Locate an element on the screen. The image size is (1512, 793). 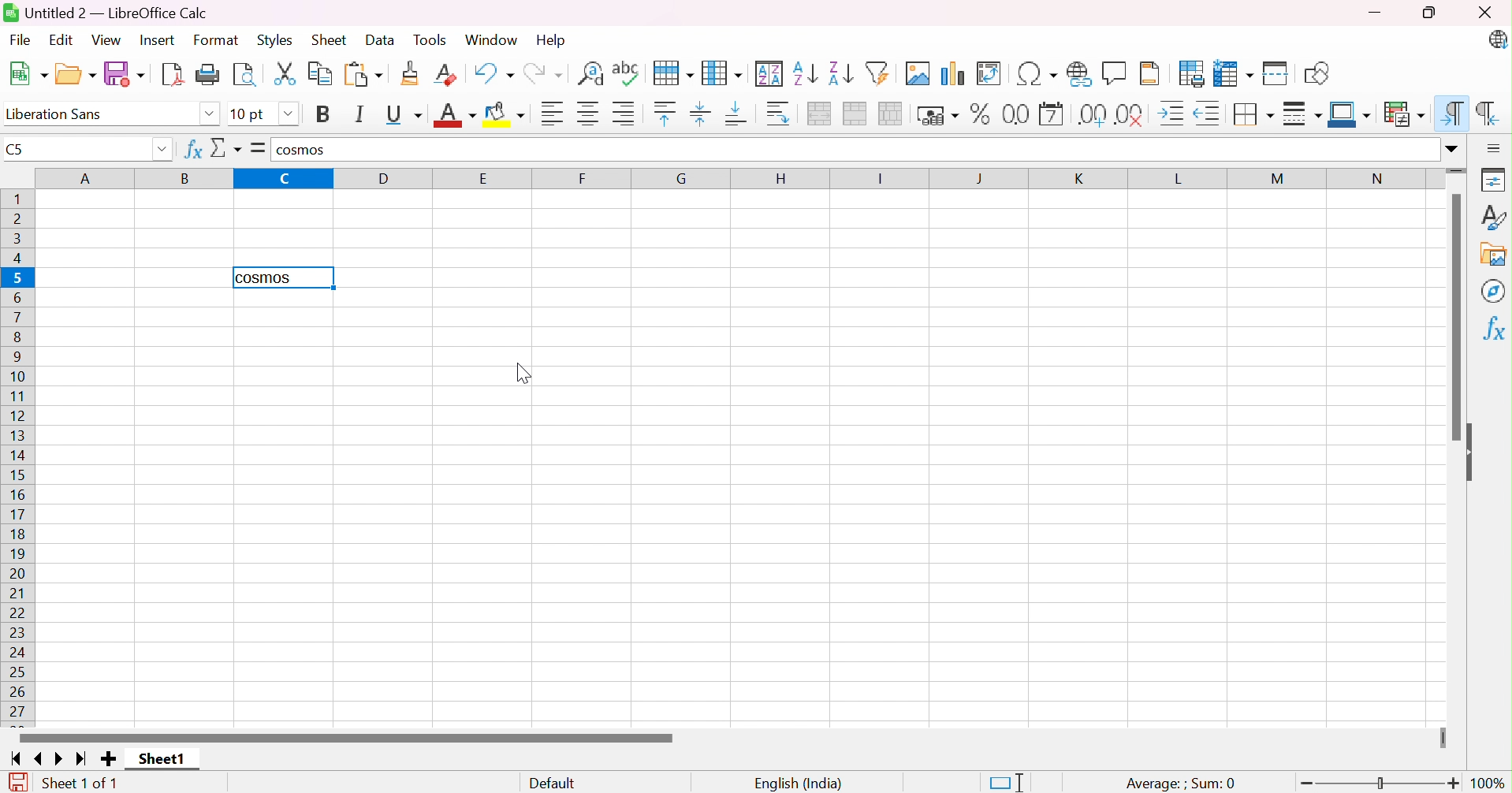
Check Spelling is located at coordinates (631, 69).